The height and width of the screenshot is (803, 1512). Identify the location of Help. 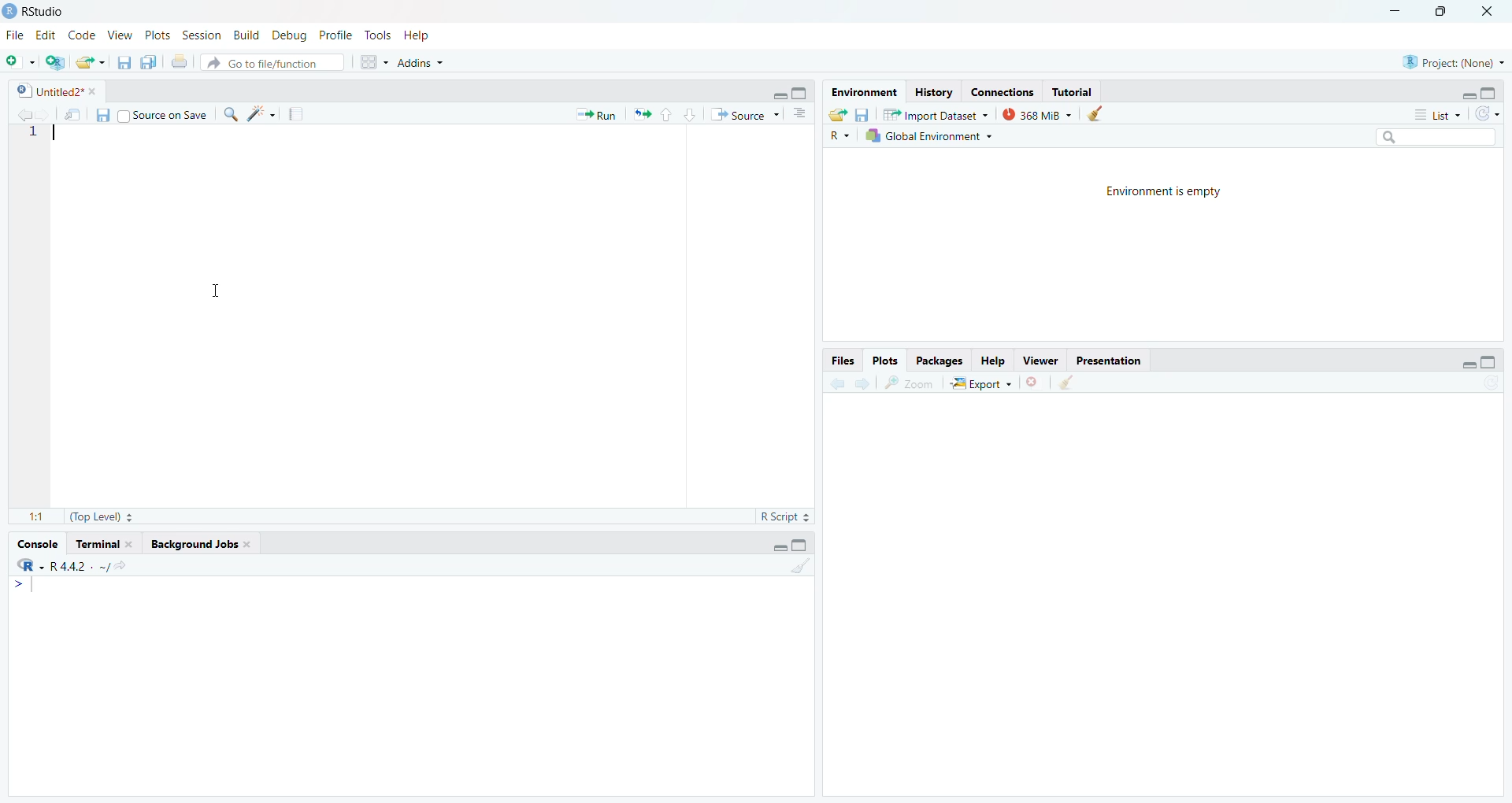
(423, 35).